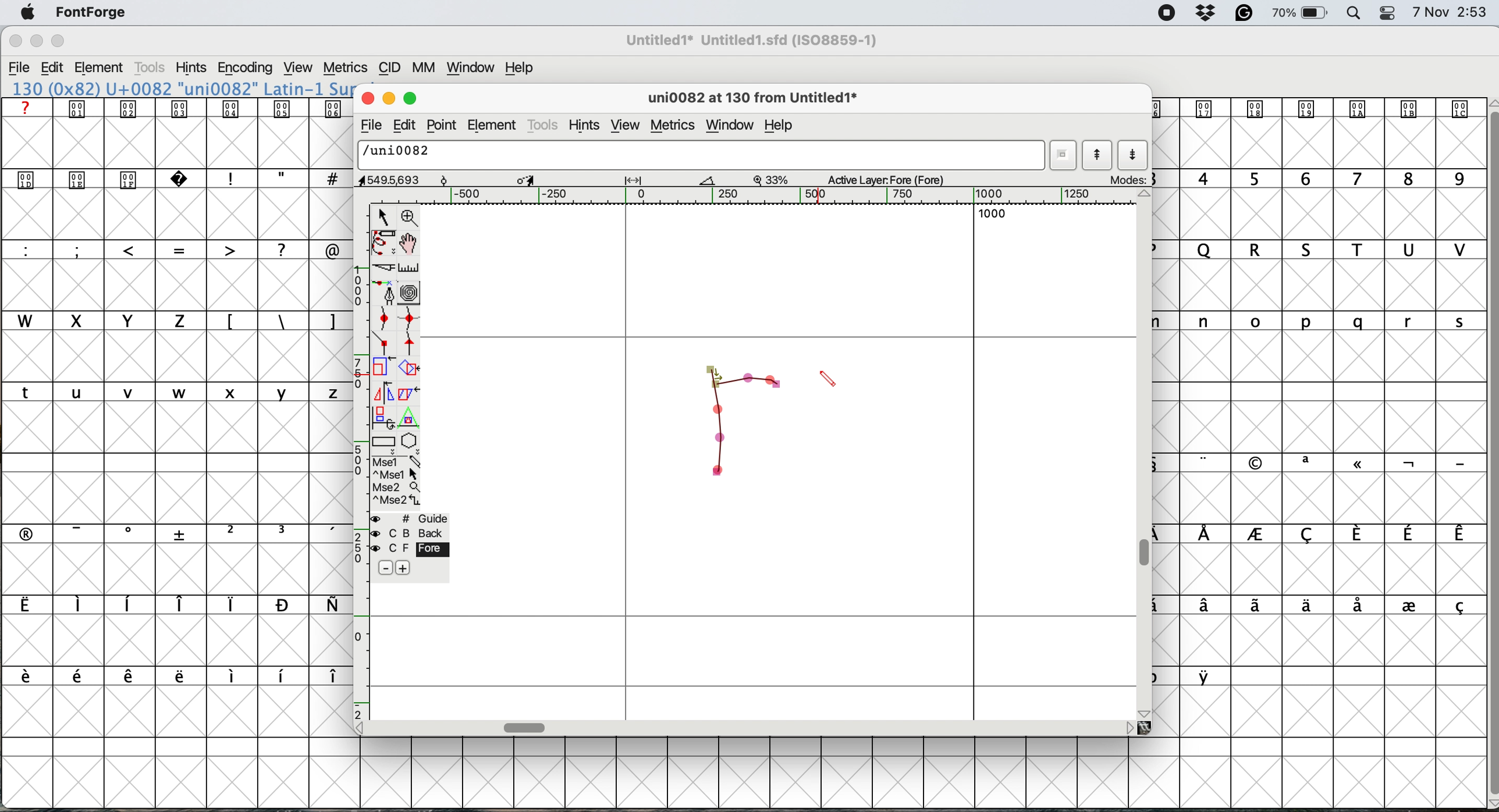  I want to click on add a comer point, so click(385, 345).